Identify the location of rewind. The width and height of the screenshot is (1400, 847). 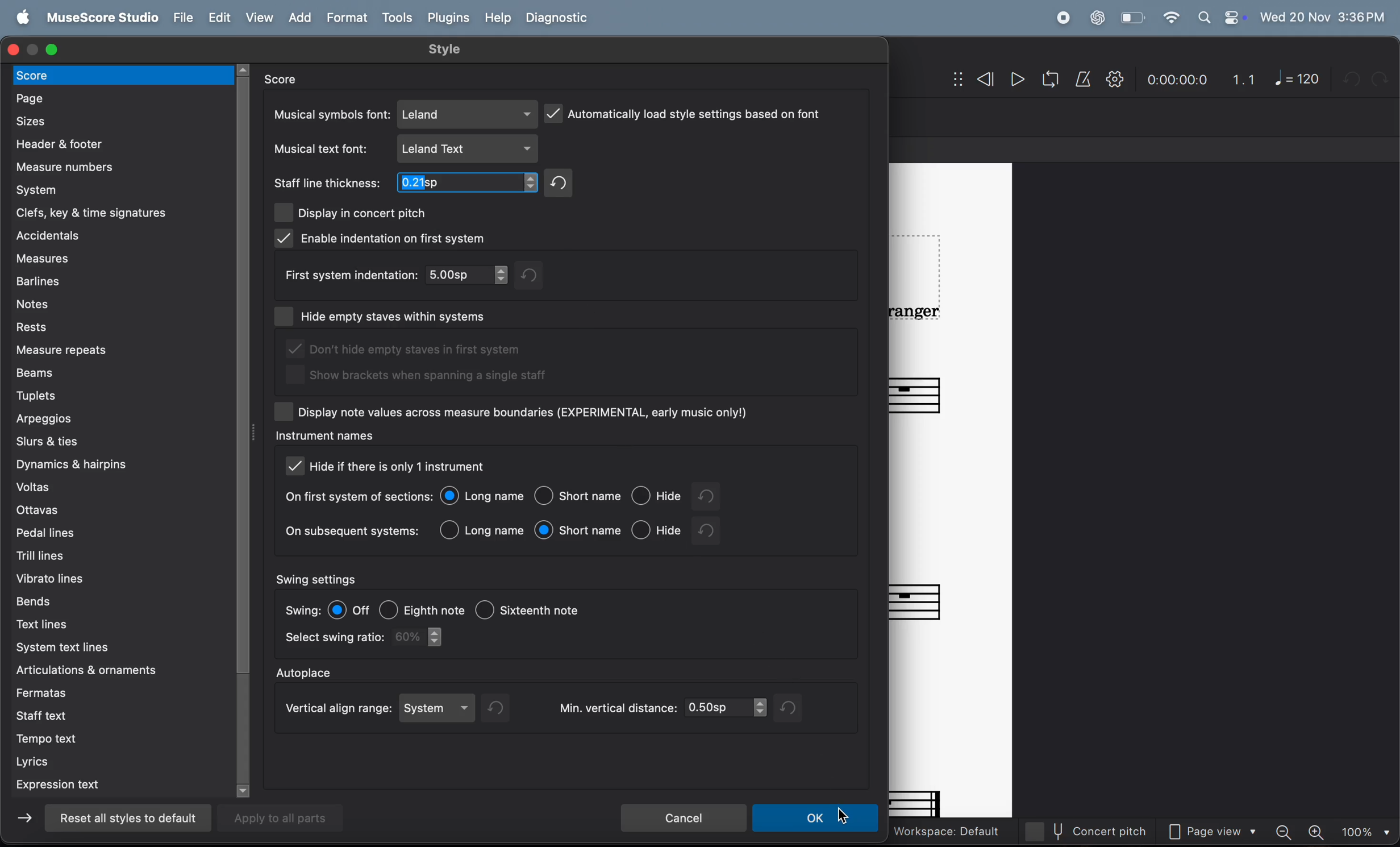
(973, 81).